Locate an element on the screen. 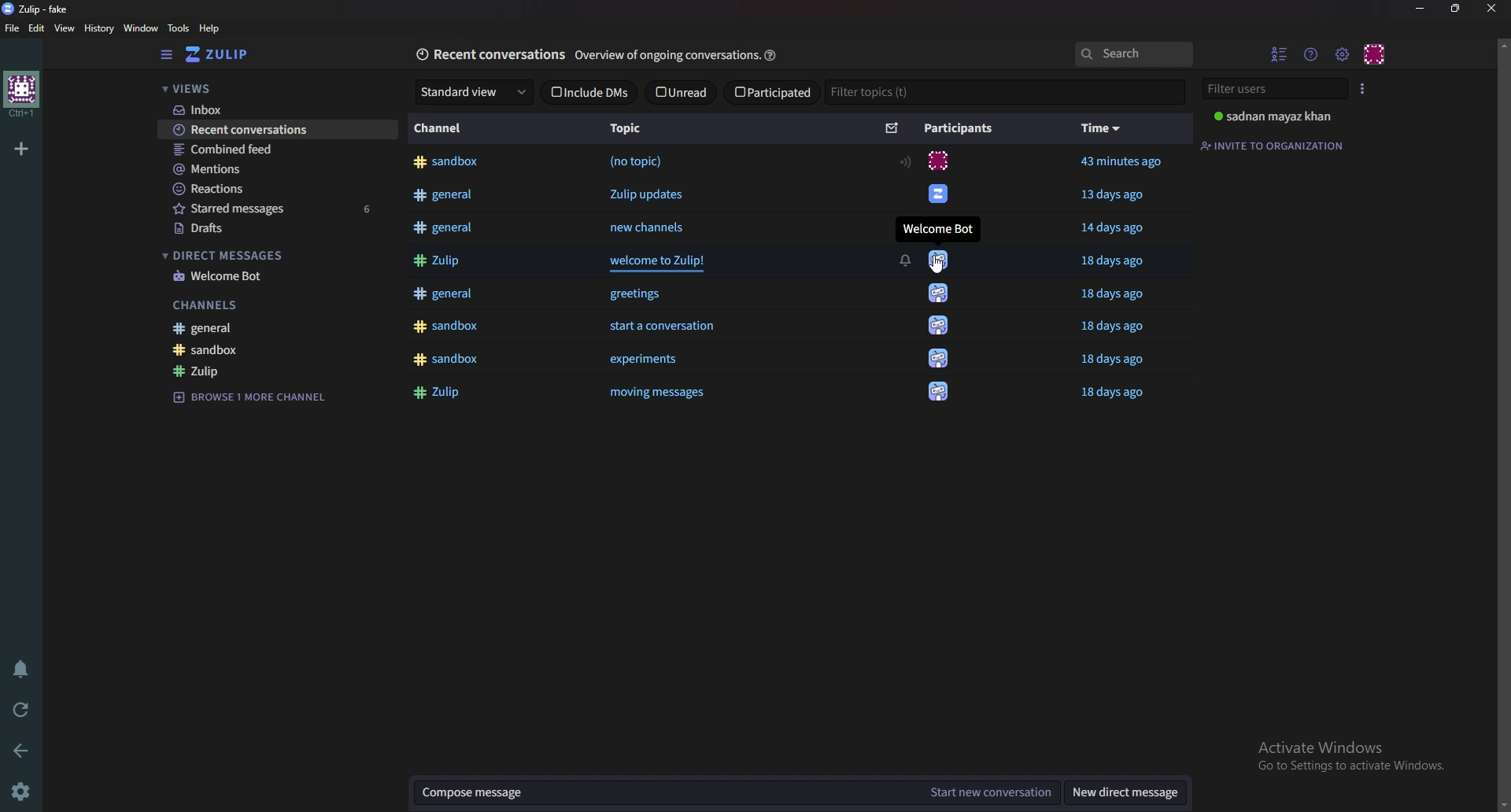  (no topic) is located at coordinates (639, 161).